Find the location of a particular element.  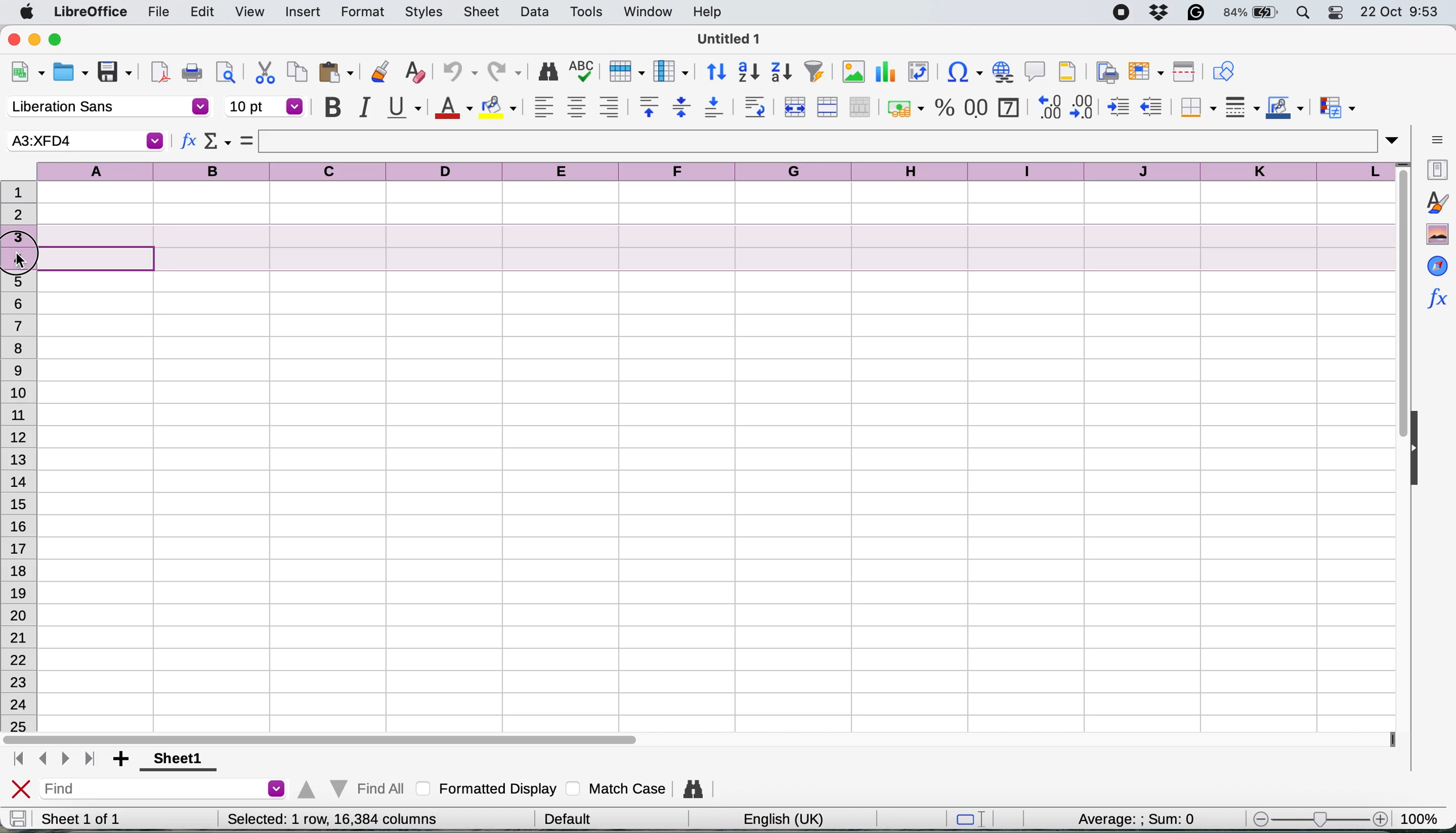

styles is located at coordinates (1436, 202).